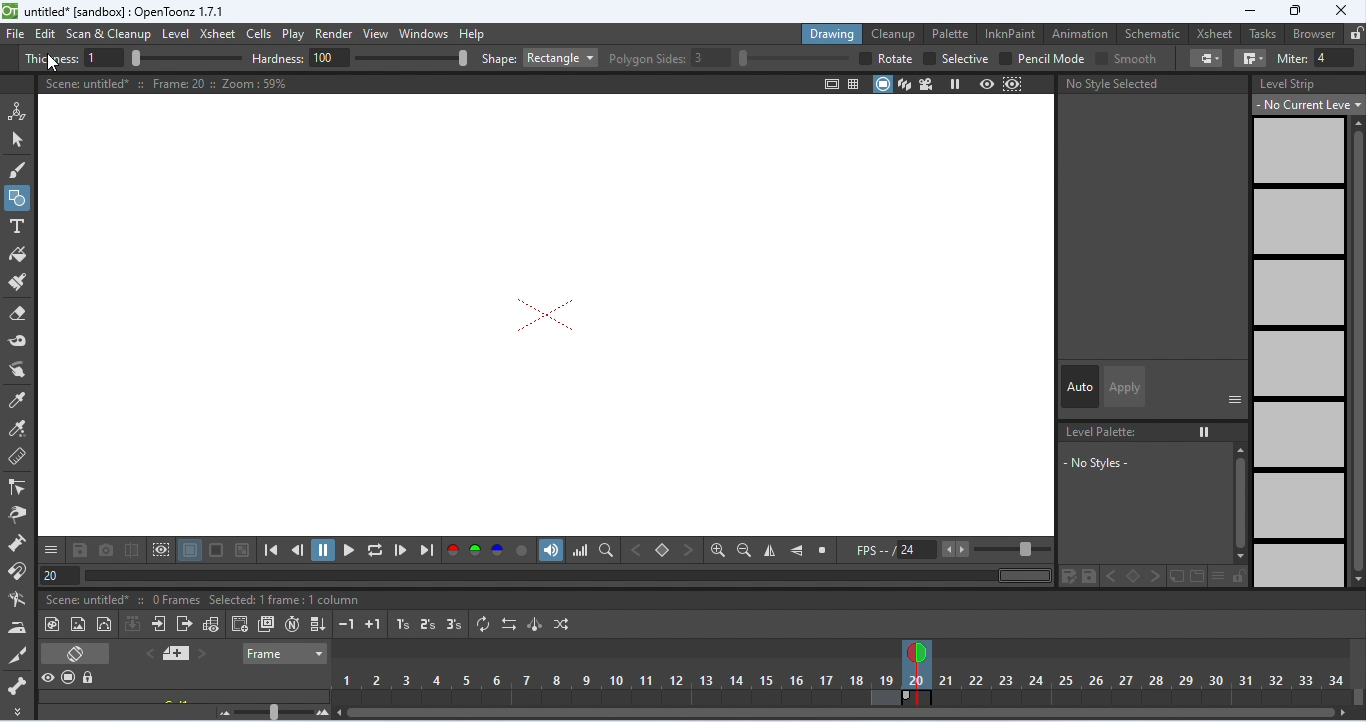  Describe the element at coordinates (18, 282) in the screenshot. I see `paint brush` at that location.